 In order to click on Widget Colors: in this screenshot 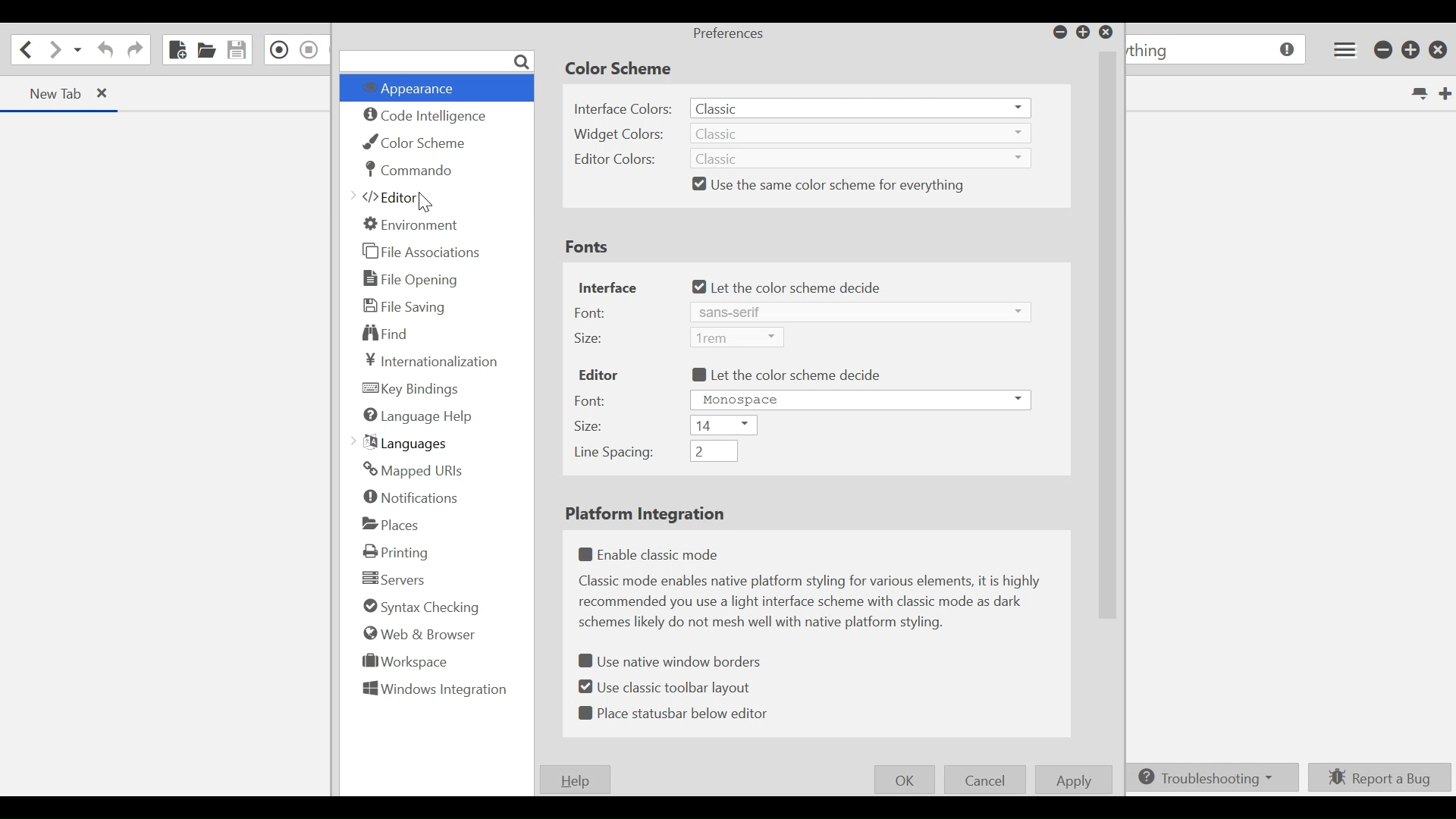, I will do `click(621, 133)`.